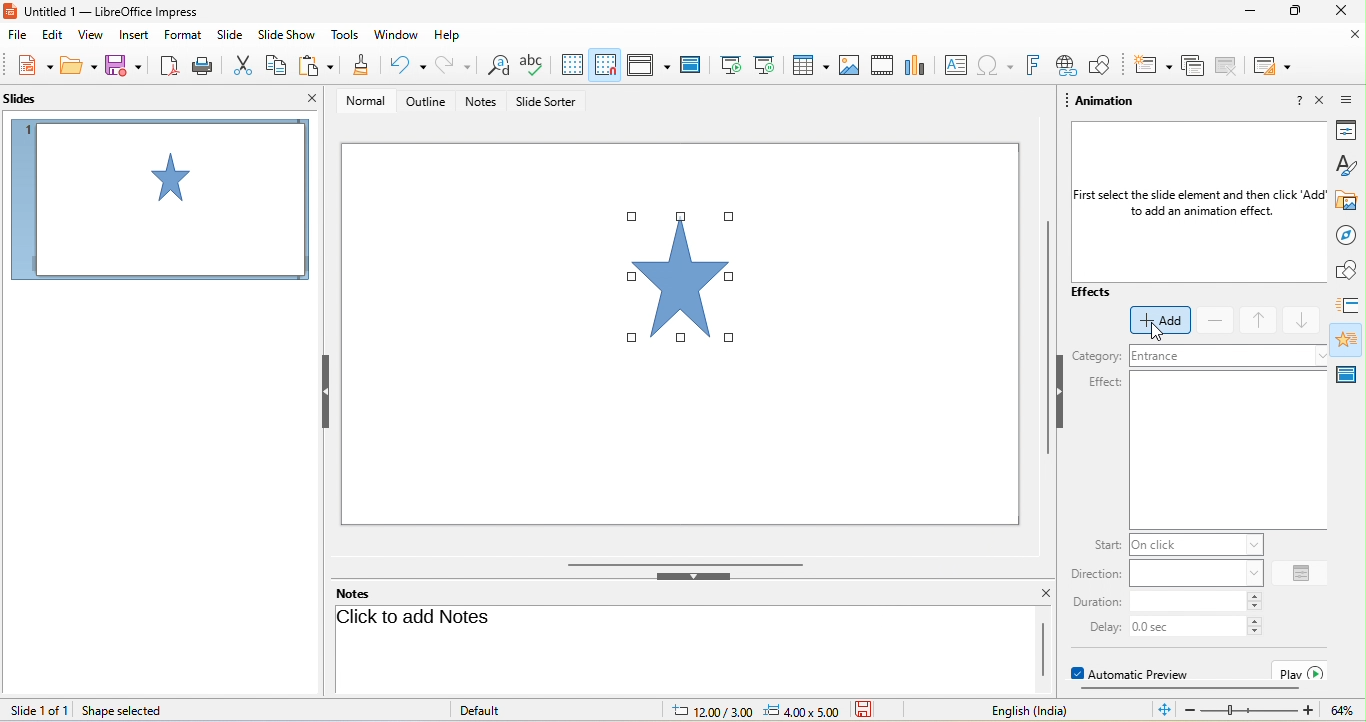 The width and height of the screenshot is (1366, 722). Describe the element at coordinates (399, 37) in the screenshot. I see `window` at that location.